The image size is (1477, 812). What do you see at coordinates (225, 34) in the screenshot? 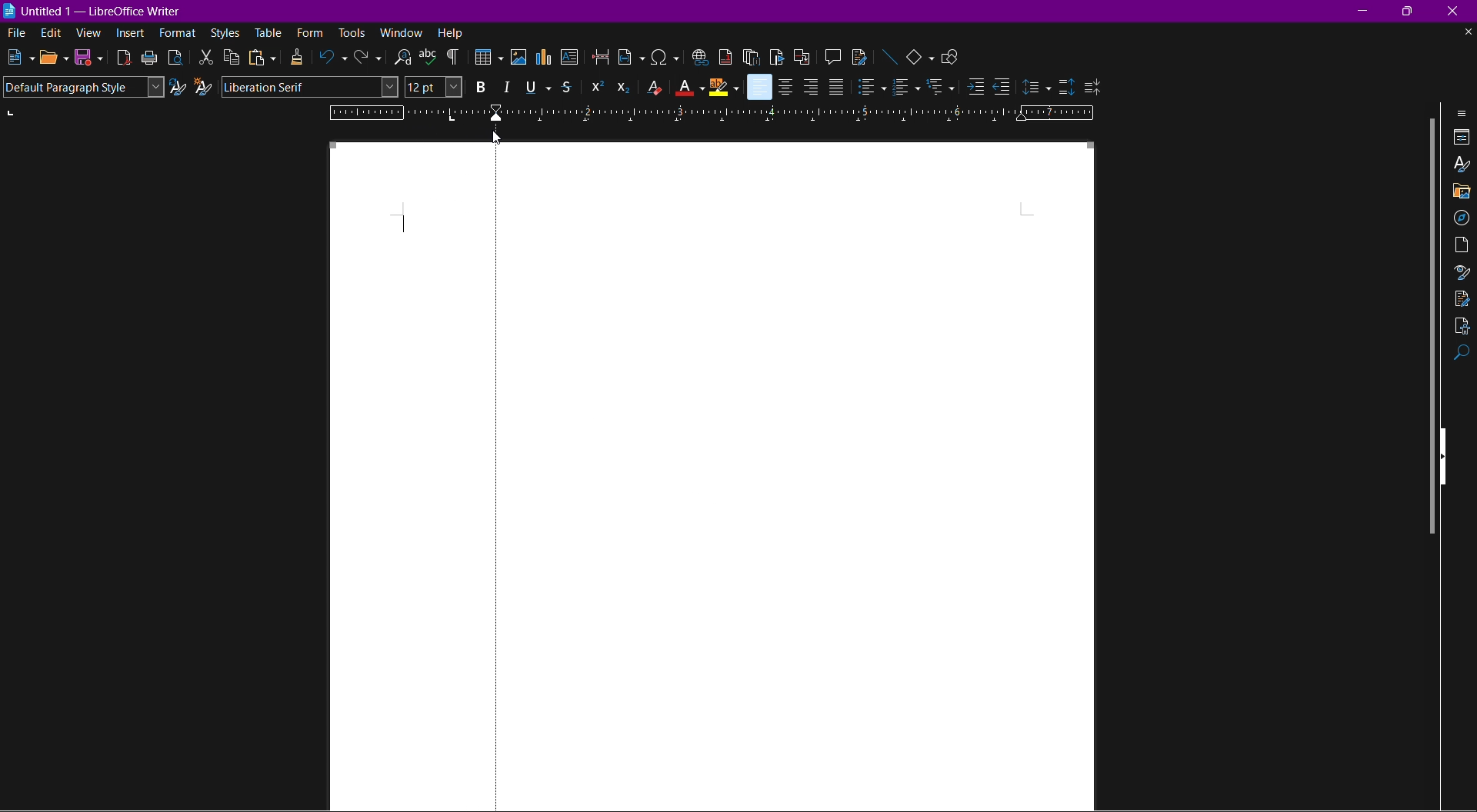
I see `Styles` at bounding box center [225, 34].